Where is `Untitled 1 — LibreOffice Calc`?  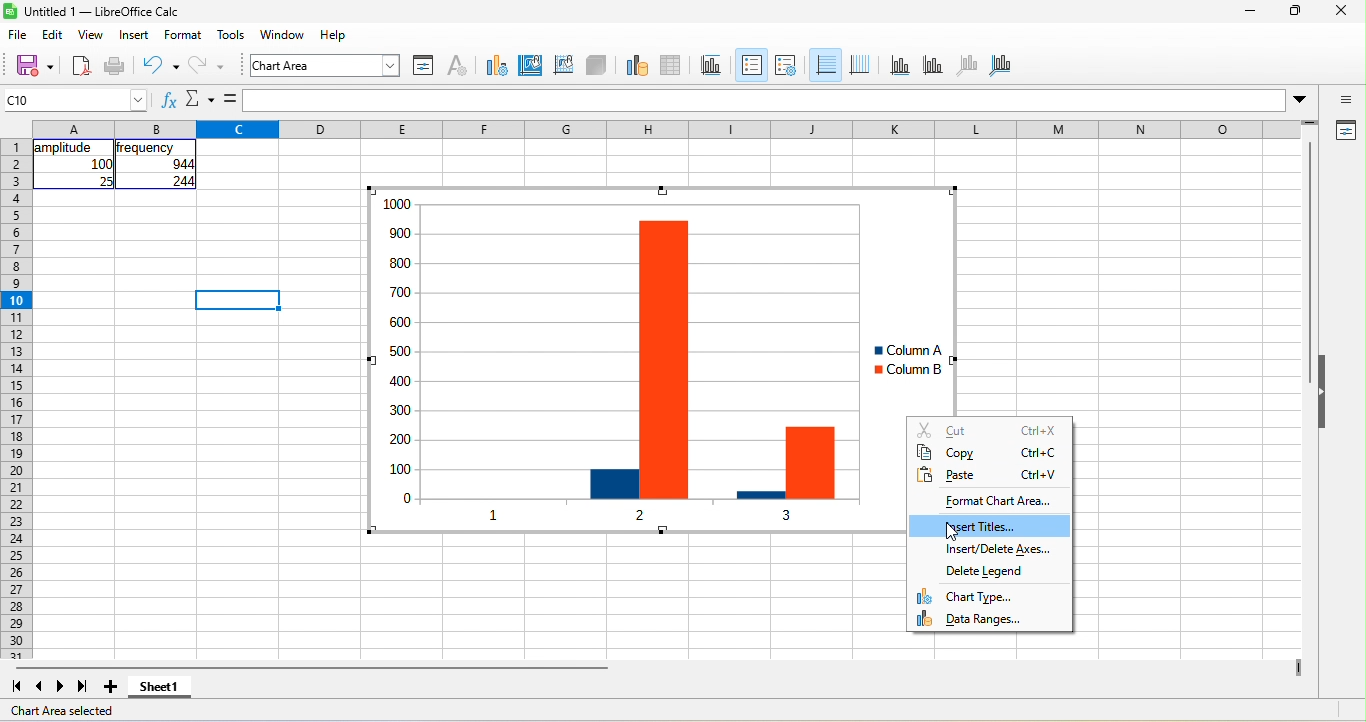
Untitled 1 — LibreOffice Calc is located at coordinates (103, 12).